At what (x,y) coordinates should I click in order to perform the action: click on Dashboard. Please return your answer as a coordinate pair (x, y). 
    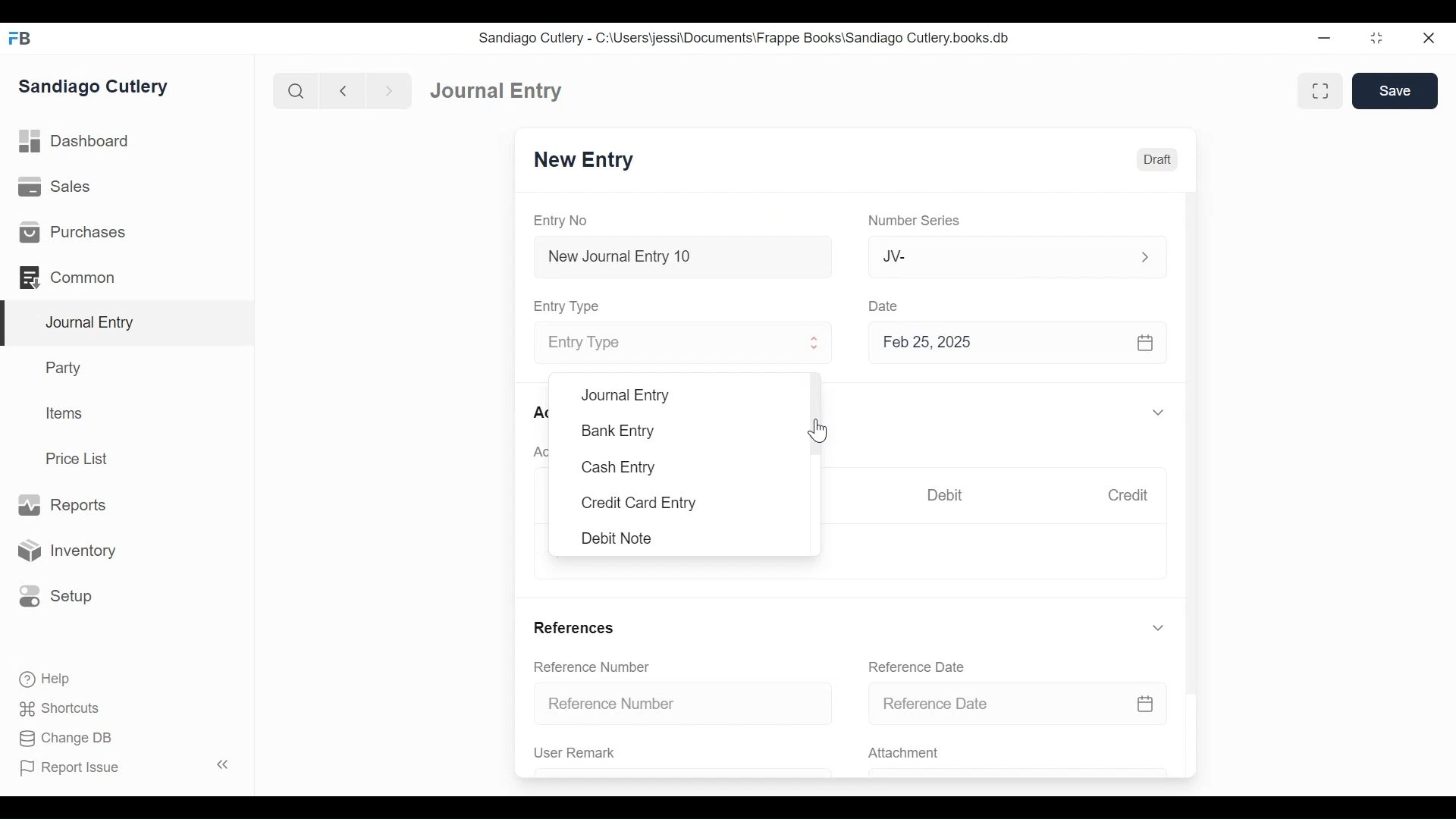
    Looking at the image, I should click on (80, 143).